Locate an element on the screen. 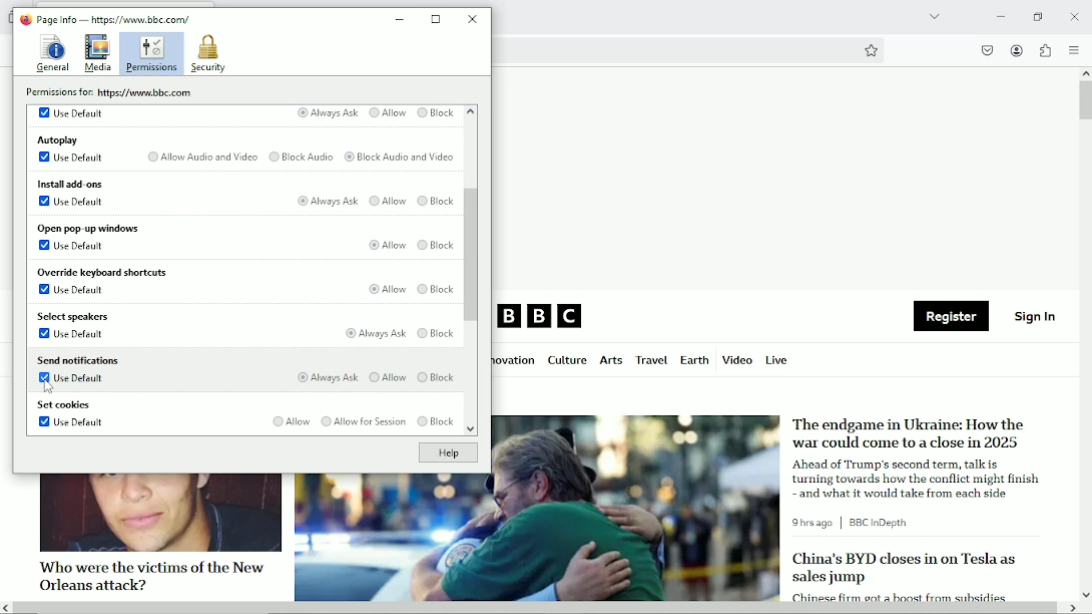 The width and height of the screenshot is (1092, 614). The endgame in Ukraine: How the war could come to a close in 2025 is located at coordinates (911, 433).